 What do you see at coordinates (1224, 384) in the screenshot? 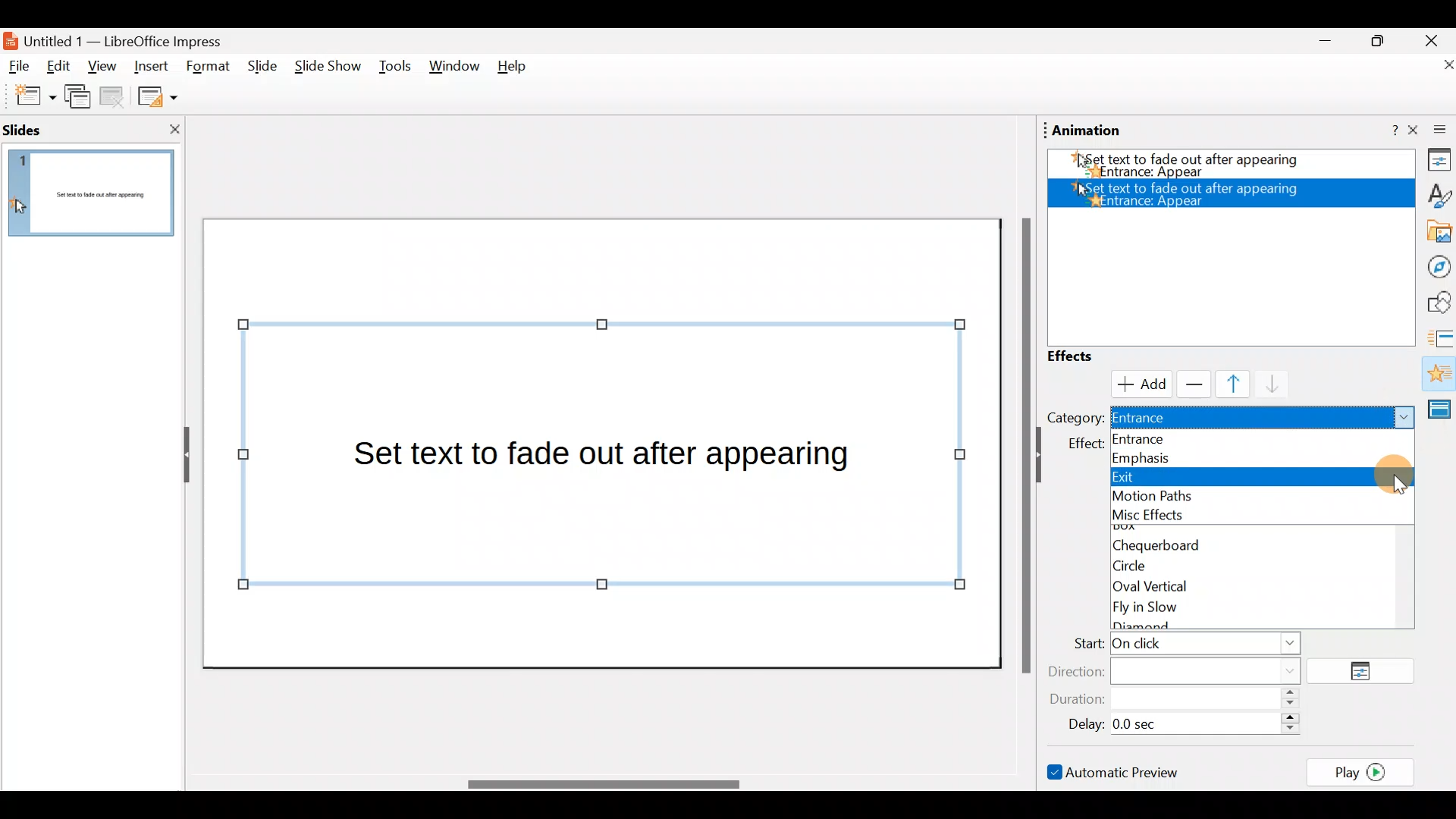
I see `Move up` at bounding box center [1224, 384].